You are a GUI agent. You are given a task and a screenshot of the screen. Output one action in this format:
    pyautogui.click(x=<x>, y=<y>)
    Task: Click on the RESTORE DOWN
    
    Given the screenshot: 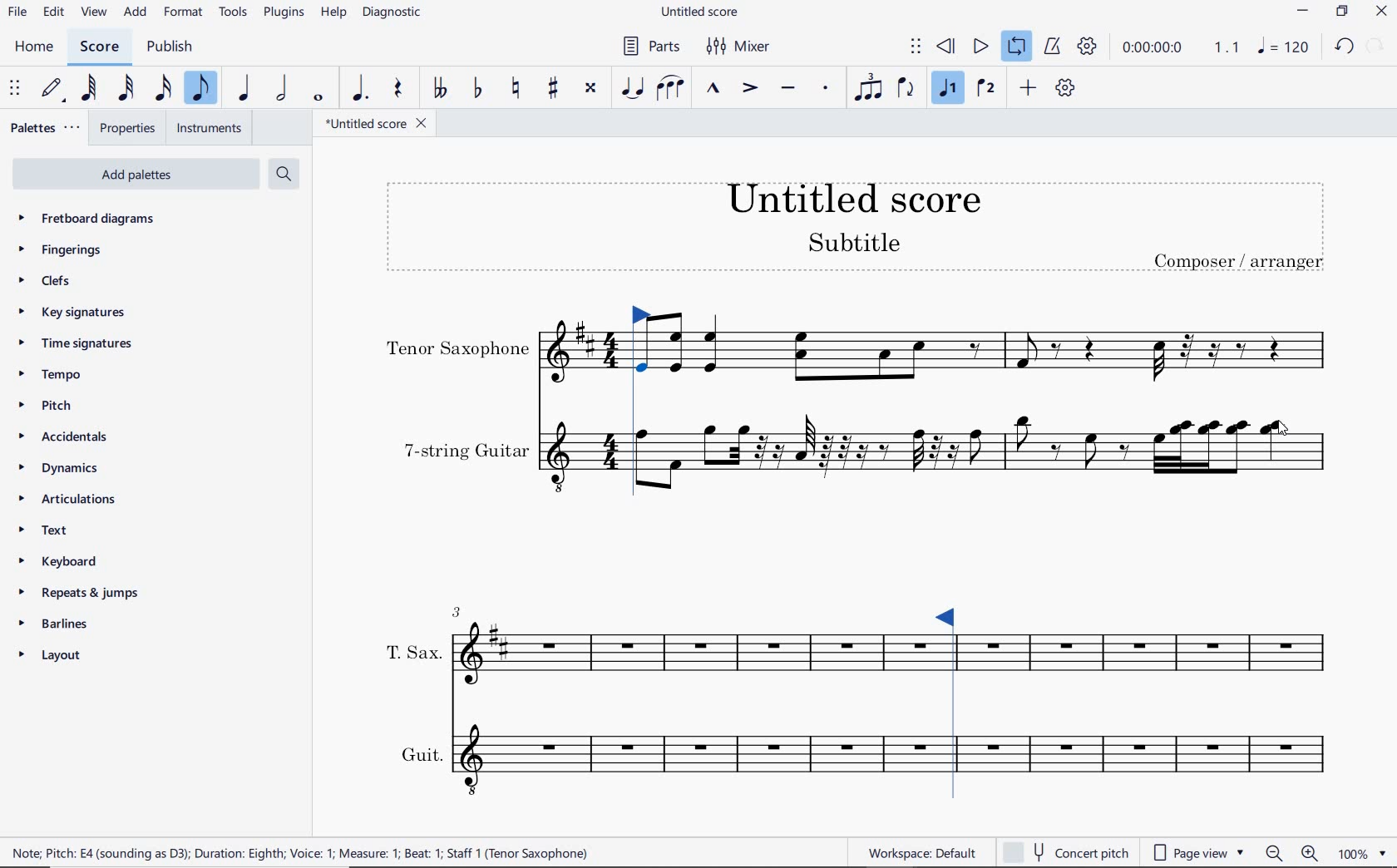 What is the action you would take?
    pyautogui.click(x=1345, y=12)
    